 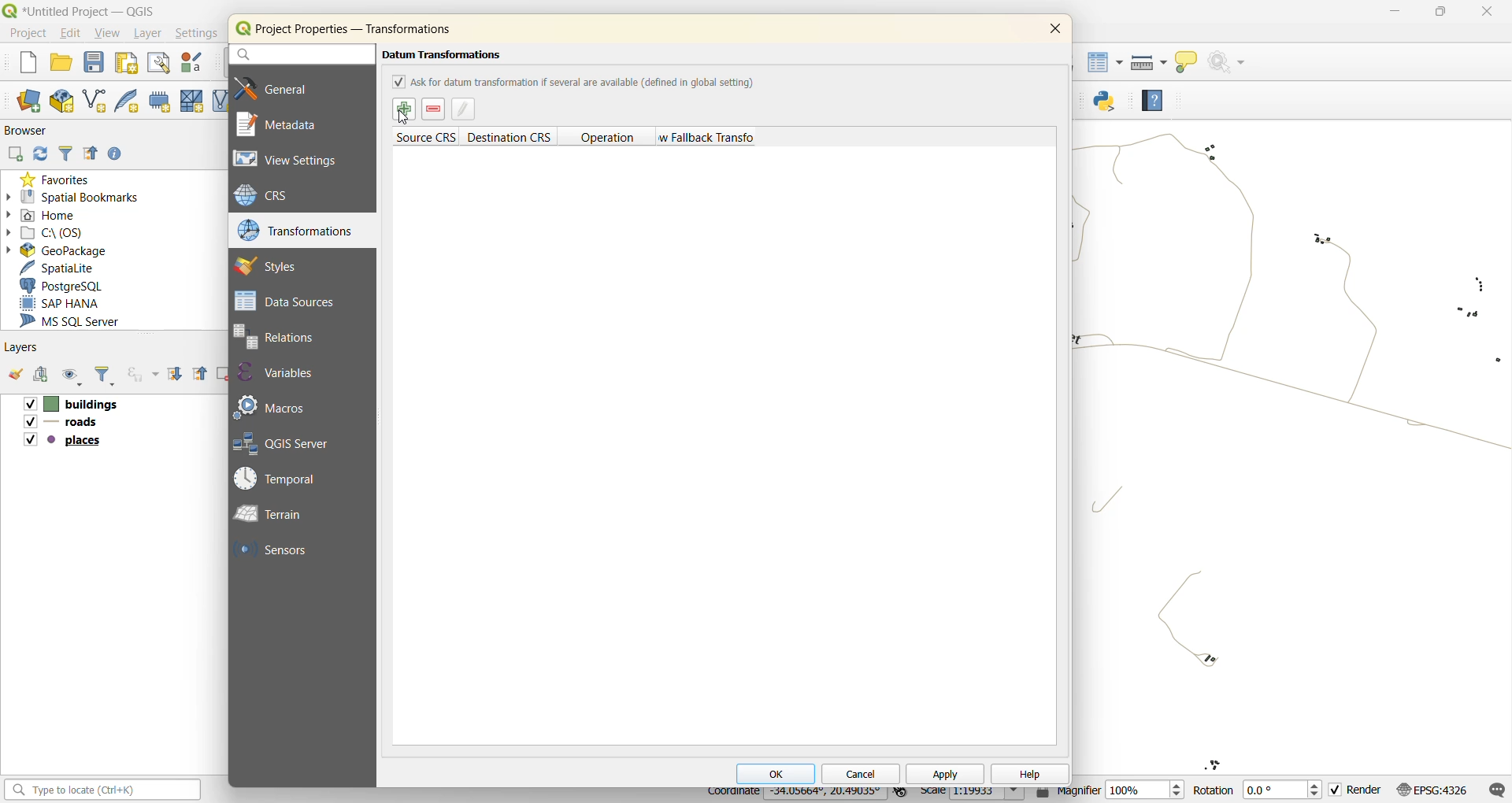 What do you see at coordinates (146, 34) in the screenshot?
I see `layer` at bounding box center [146, 34].